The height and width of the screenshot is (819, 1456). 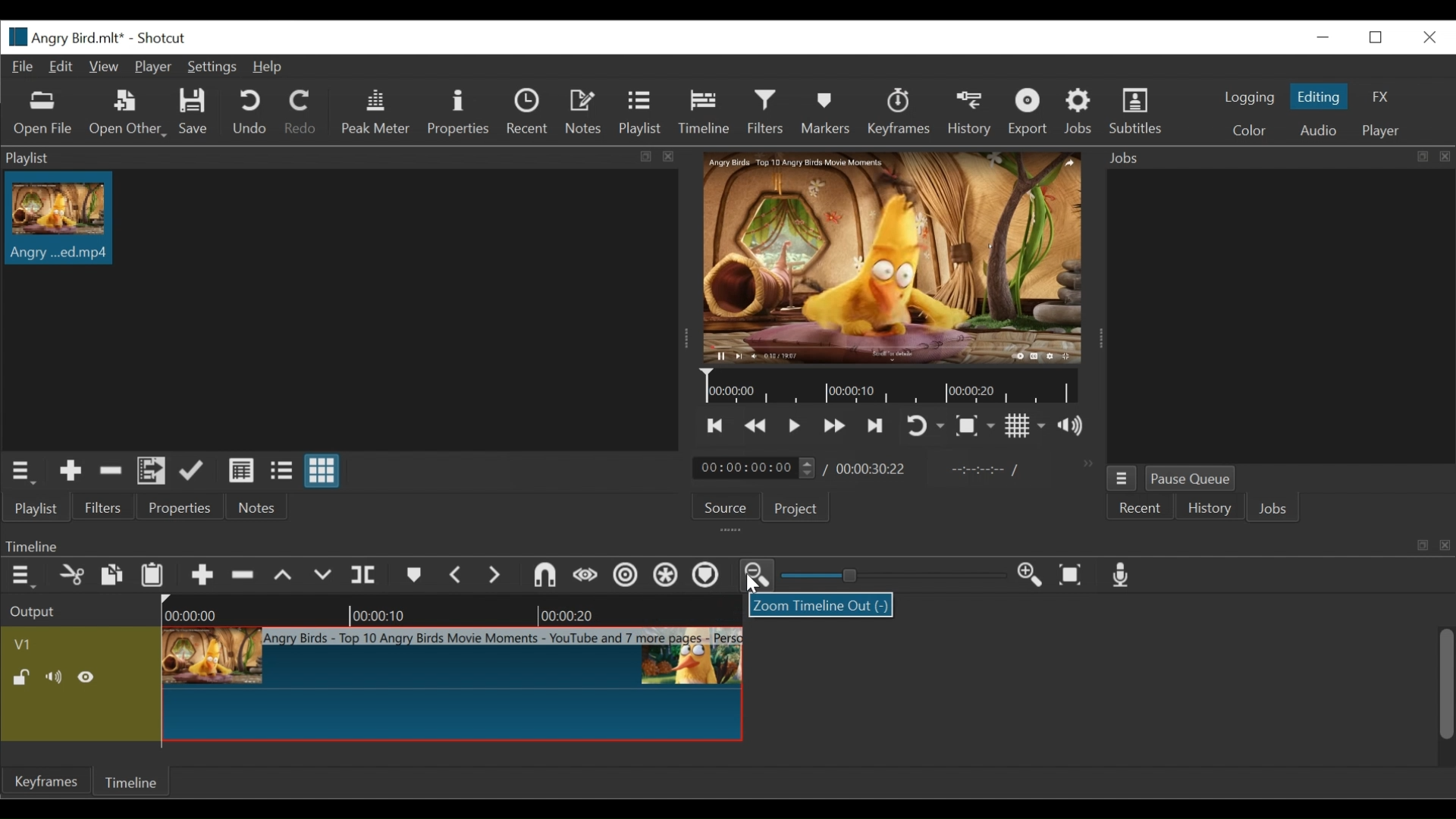 I want to click on Zoom out timeline, so click(x=758, y=577).